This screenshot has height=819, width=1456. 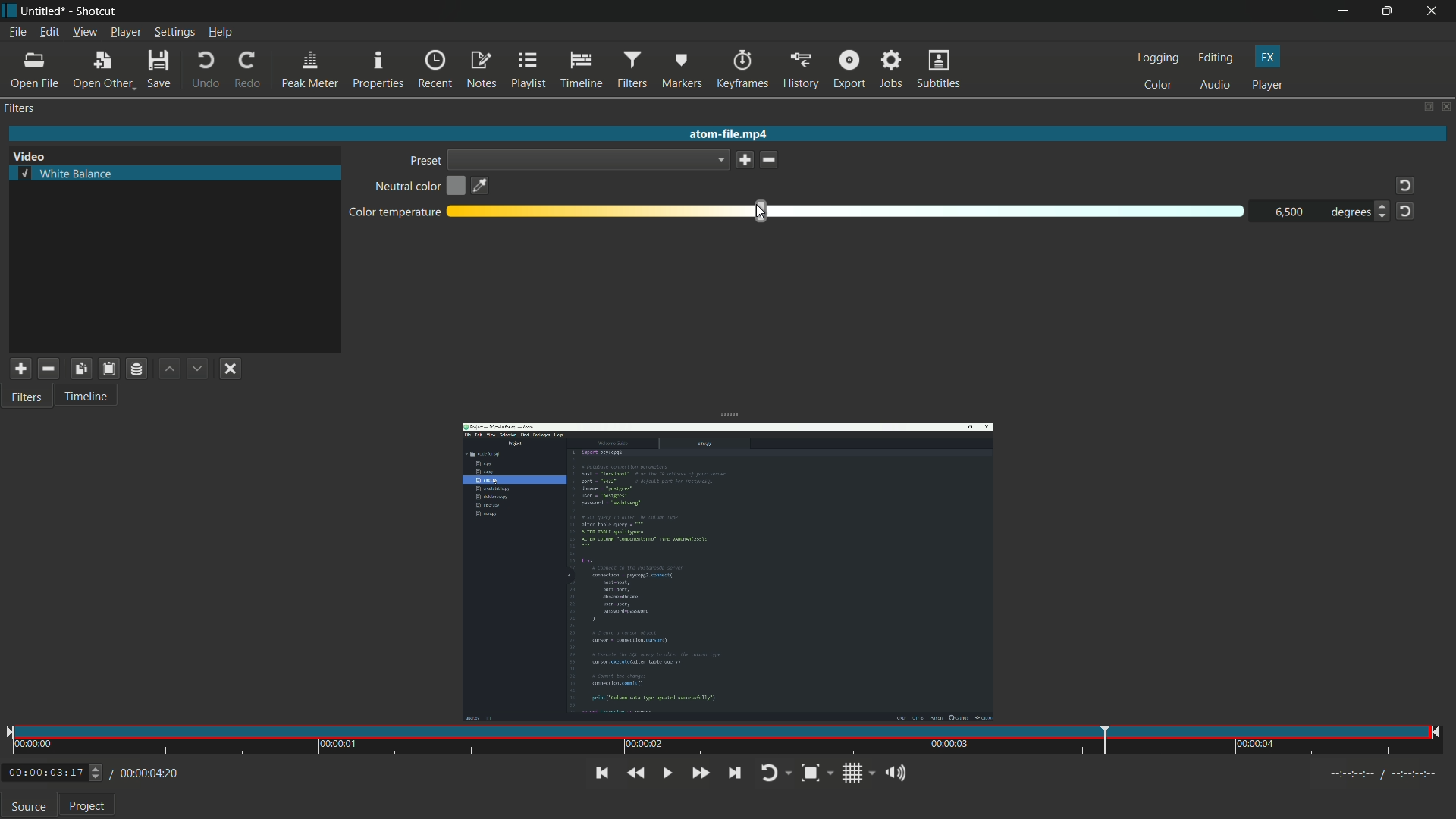 I want to click on pick color on the screen, so click(x=481, y=186).